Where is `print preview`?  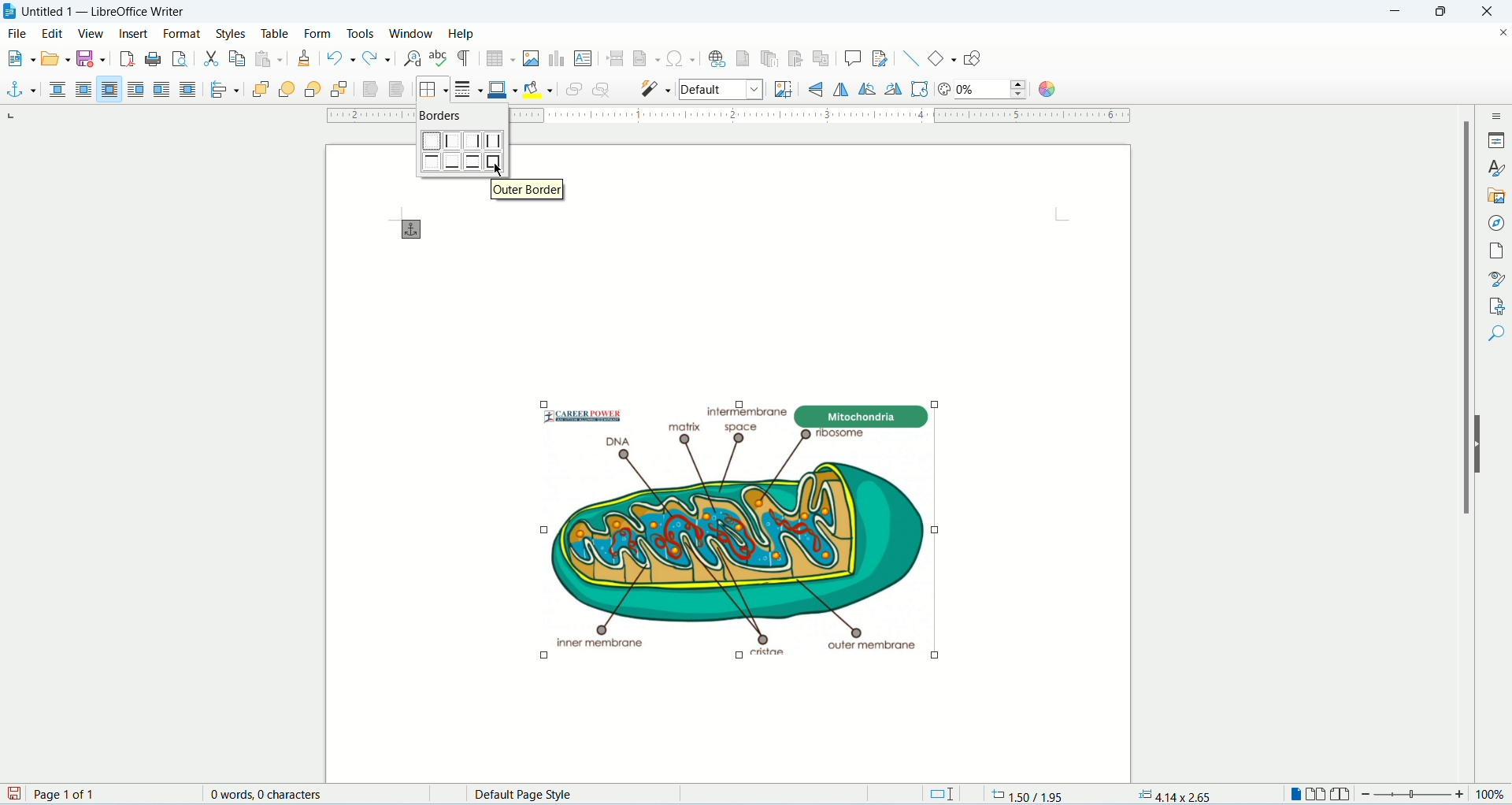
print preview is located at coordinates (180, 59).